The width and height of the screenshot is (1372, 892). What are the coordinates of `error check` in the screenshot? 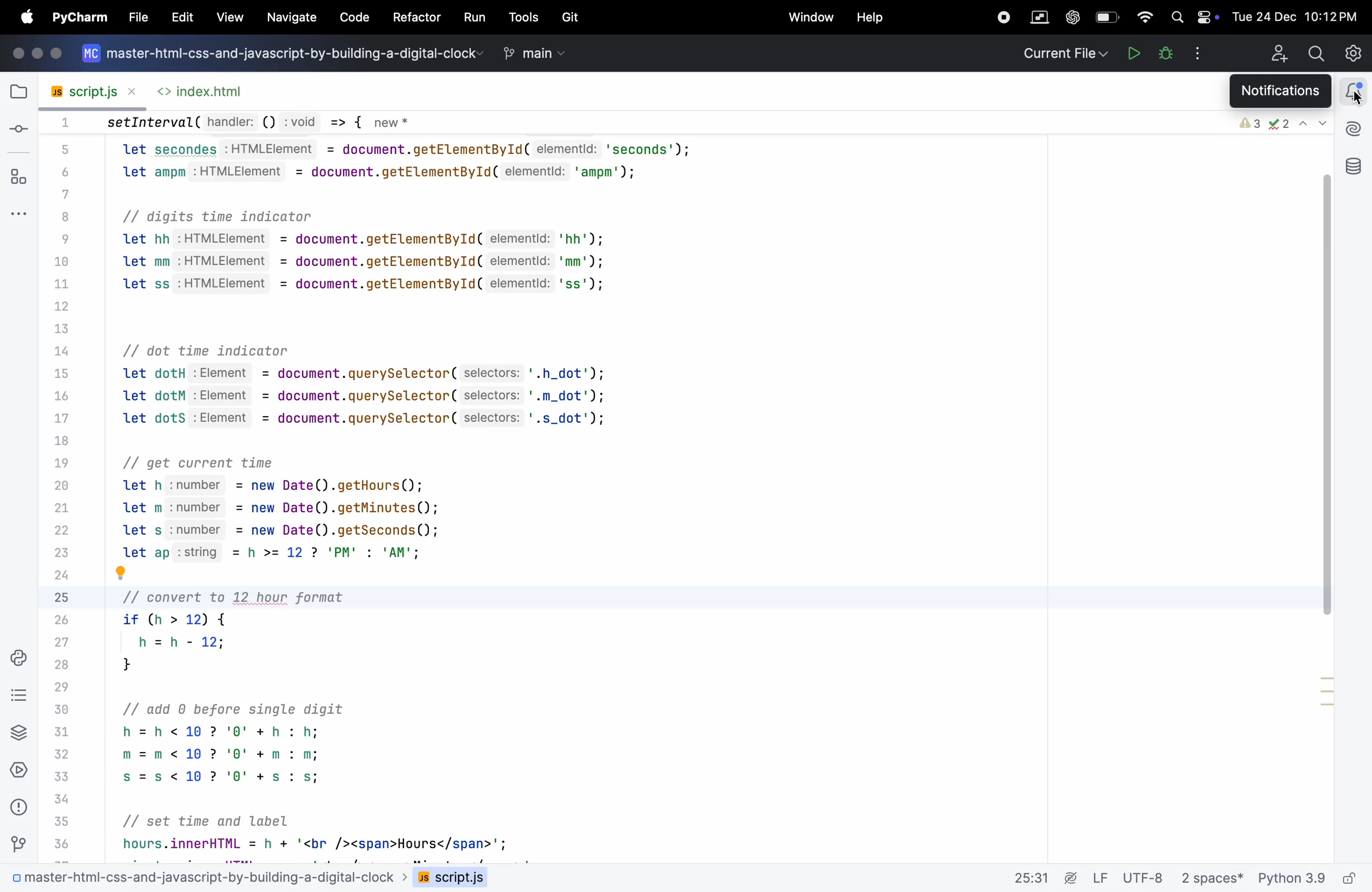 It's located at (1271, 124).